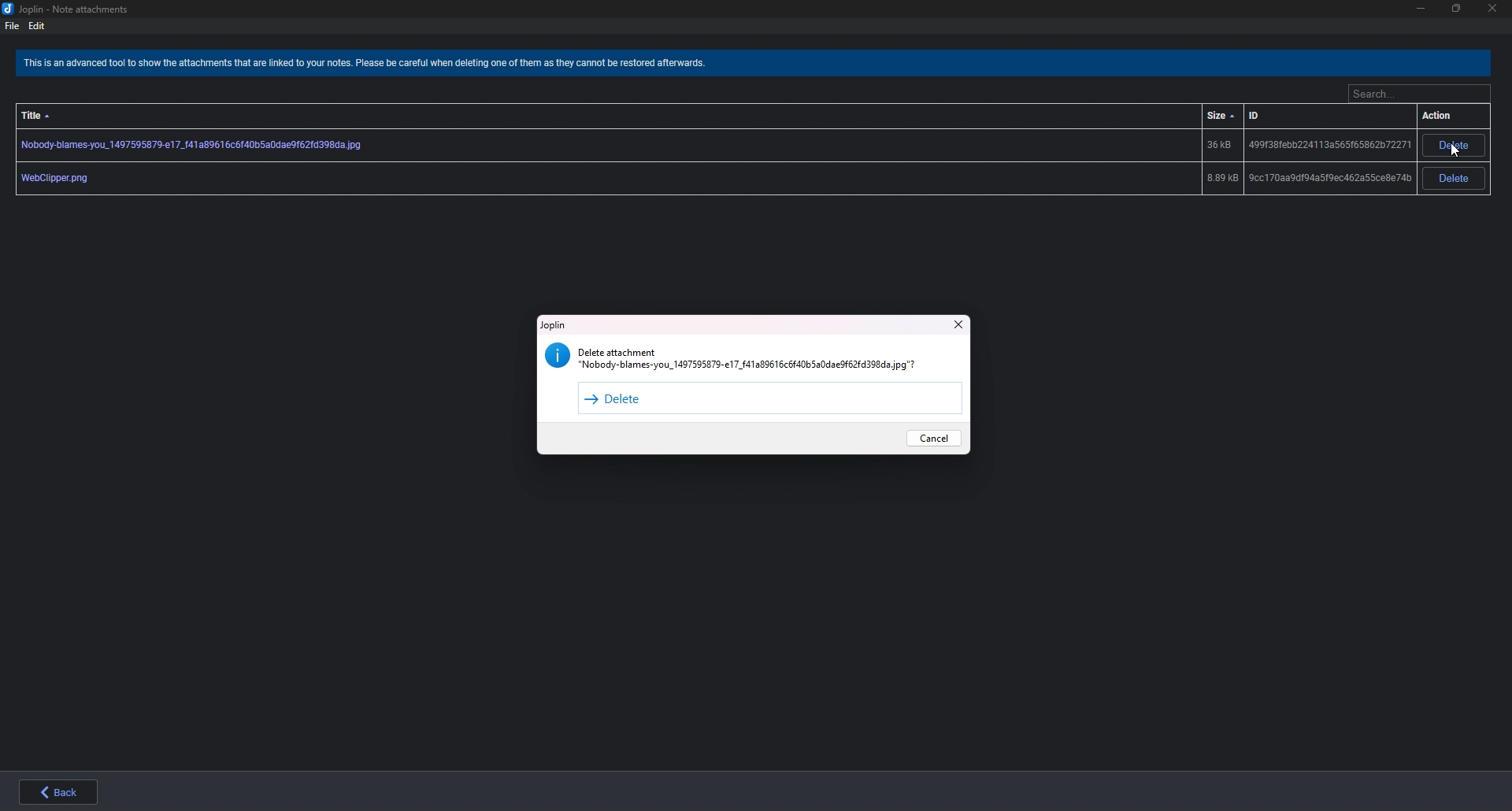  I want to click on warning, so click(750, 359).